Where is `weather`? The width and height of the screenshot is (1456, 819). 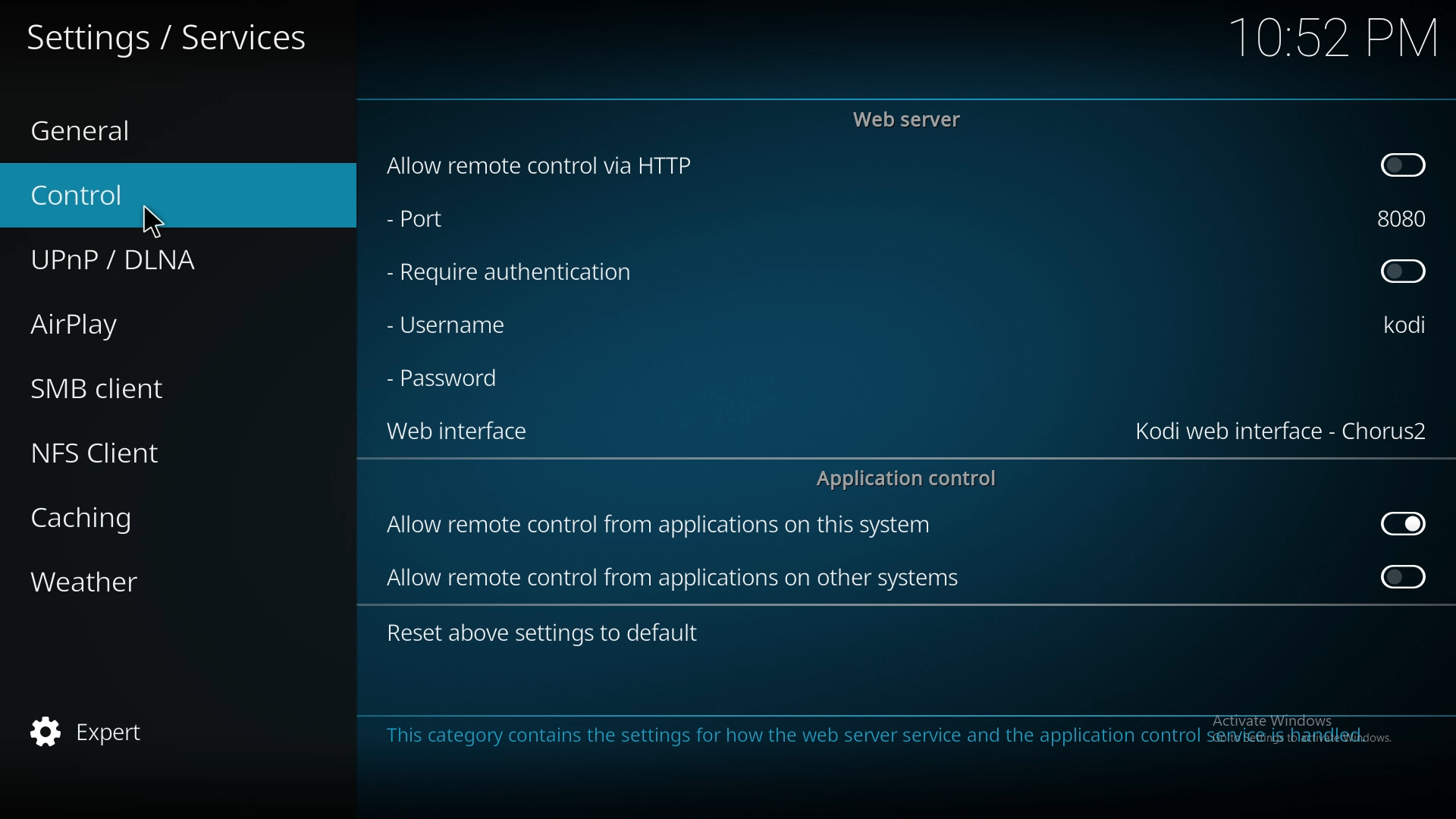 weather is located at coordinates (158, 580).